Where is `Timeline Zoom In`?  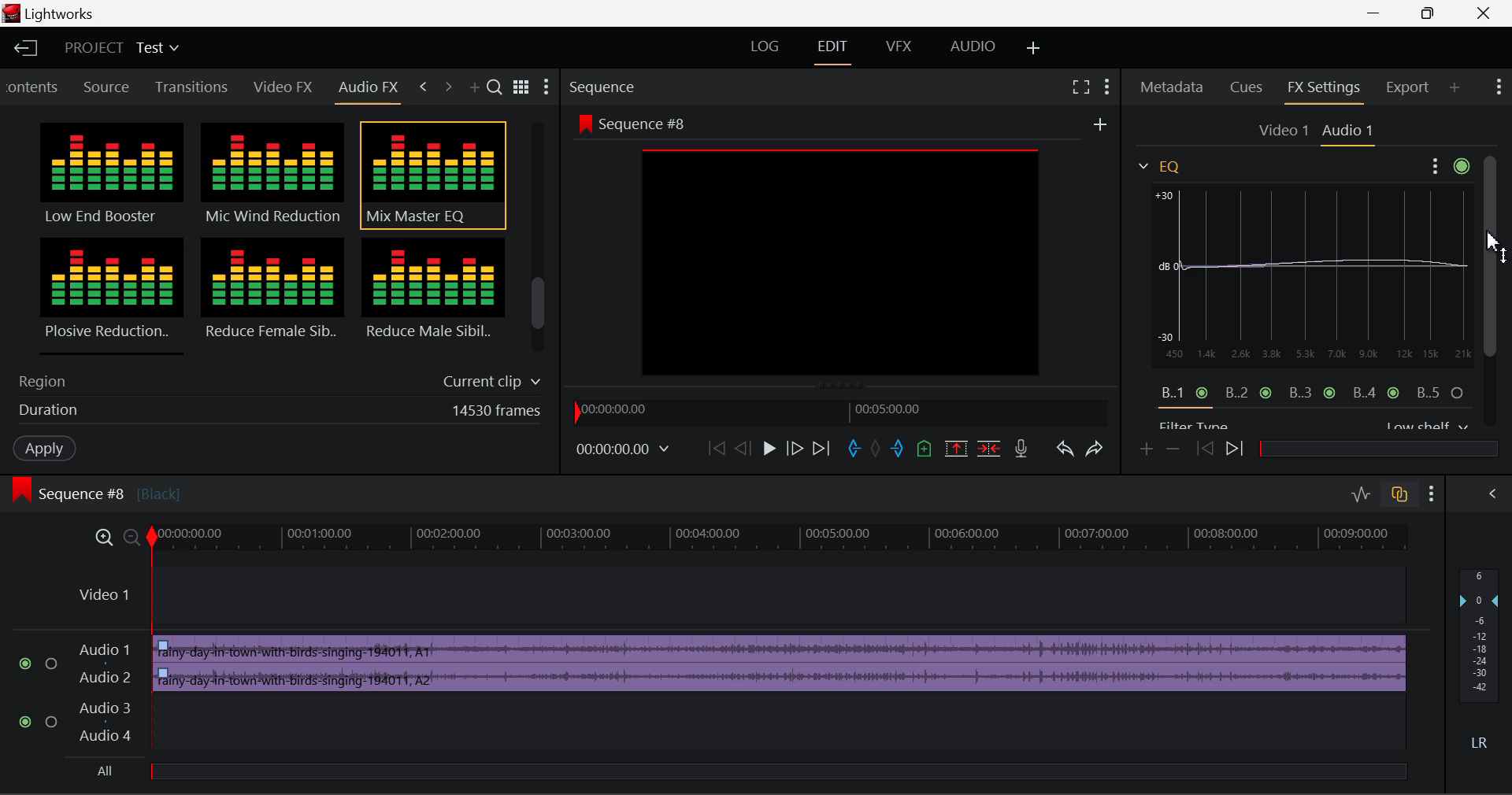 Timeline Zoom In is located at coordinates (106, 538).